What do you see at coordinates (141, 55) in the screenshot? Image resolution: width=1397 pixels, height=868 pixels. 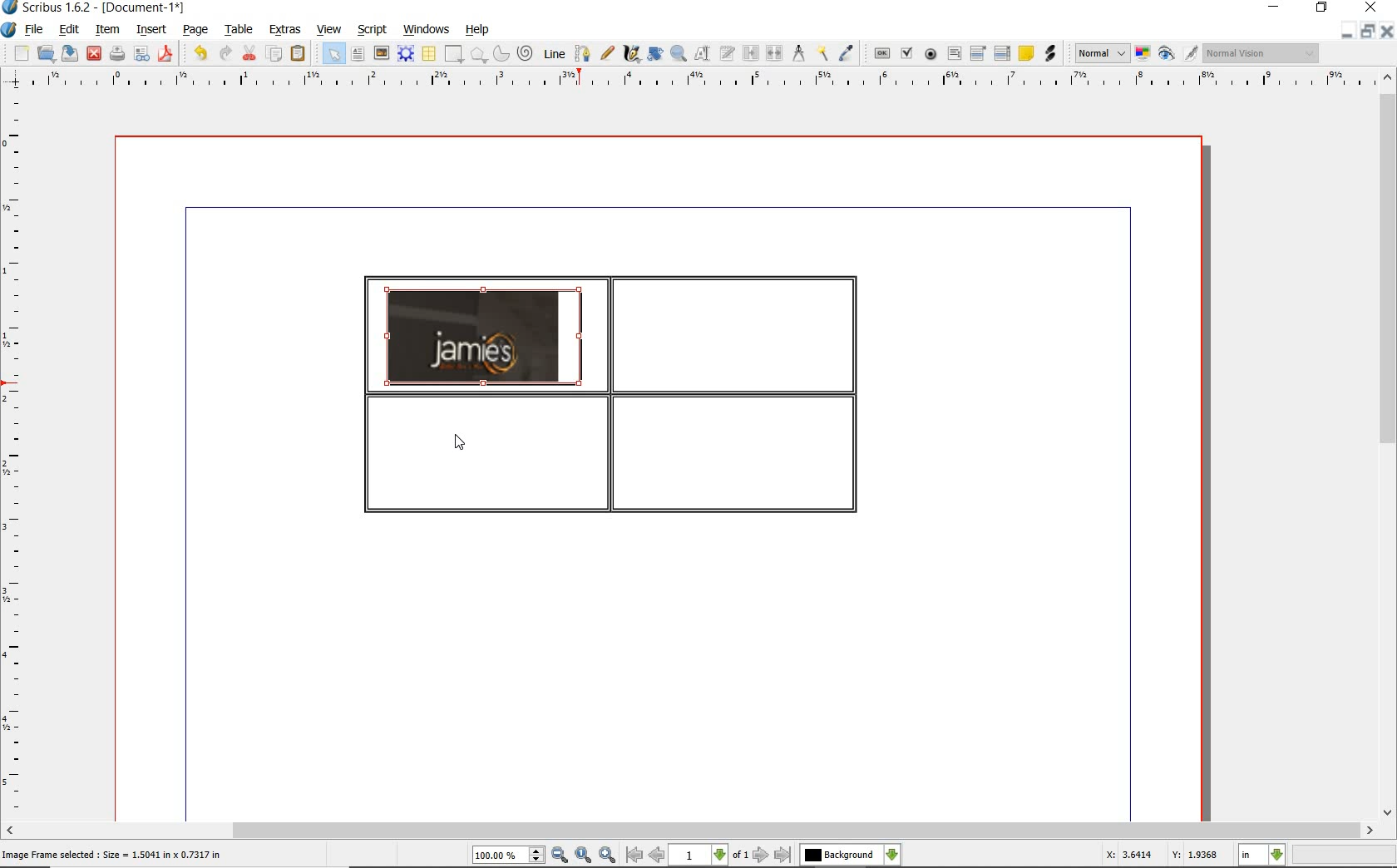 I see `preflight verifier` at bounding box center [141, 55].